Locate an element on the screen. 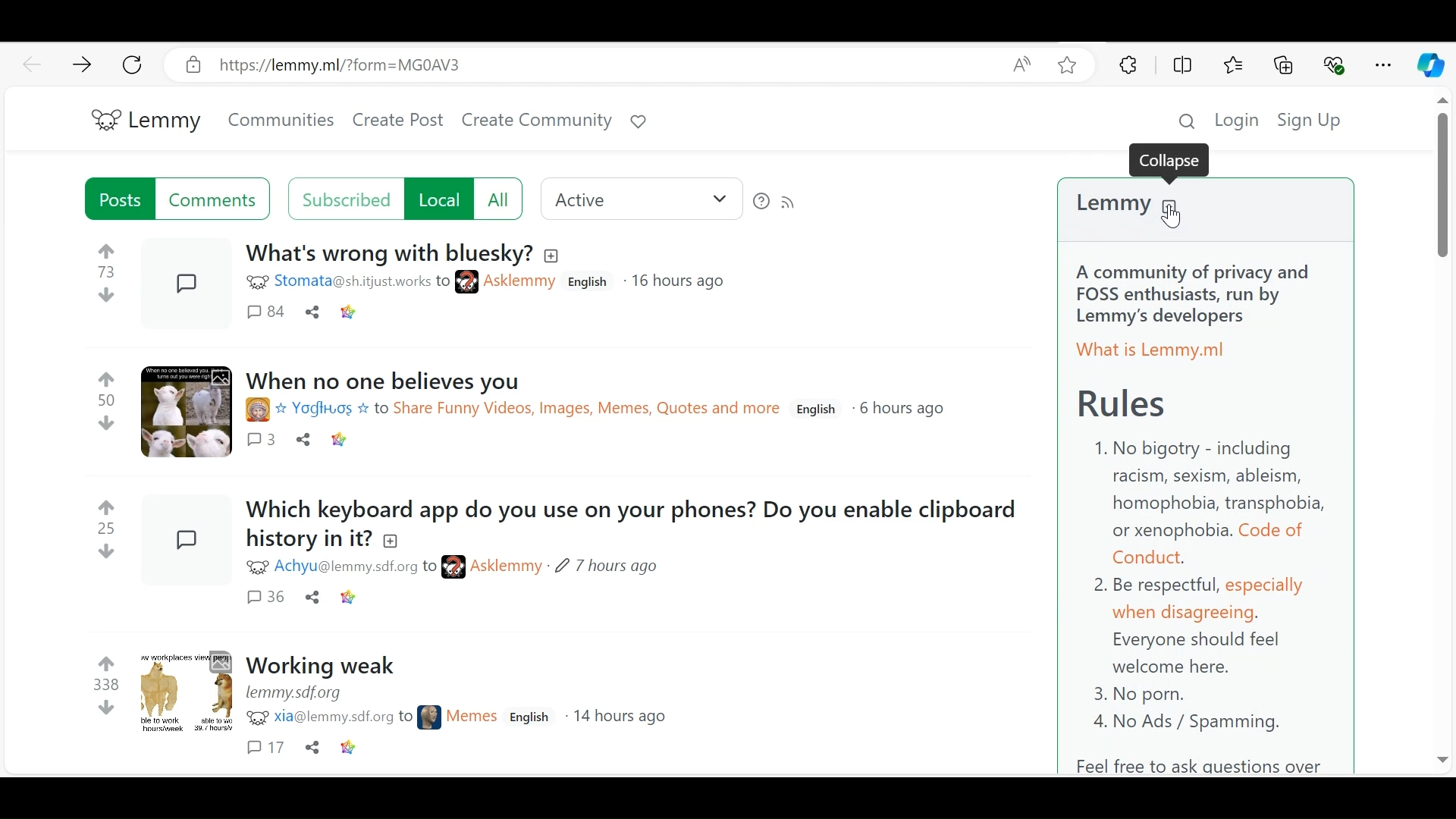  local is located at coordinates (438, 199).